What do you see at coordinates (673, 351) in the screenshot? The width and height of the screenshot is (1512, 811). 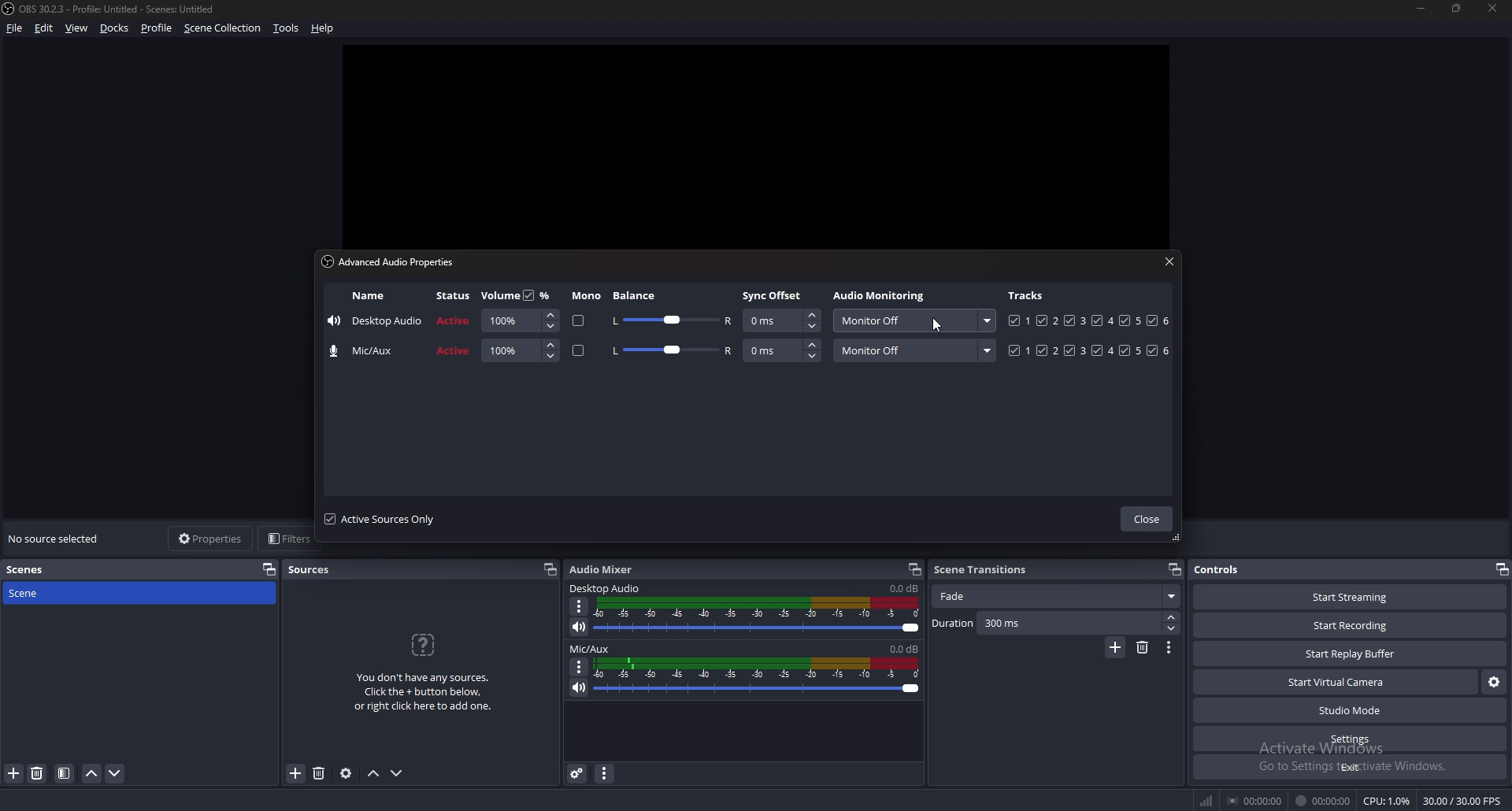 I see `balance adjust` at bounding box center [673, 351].